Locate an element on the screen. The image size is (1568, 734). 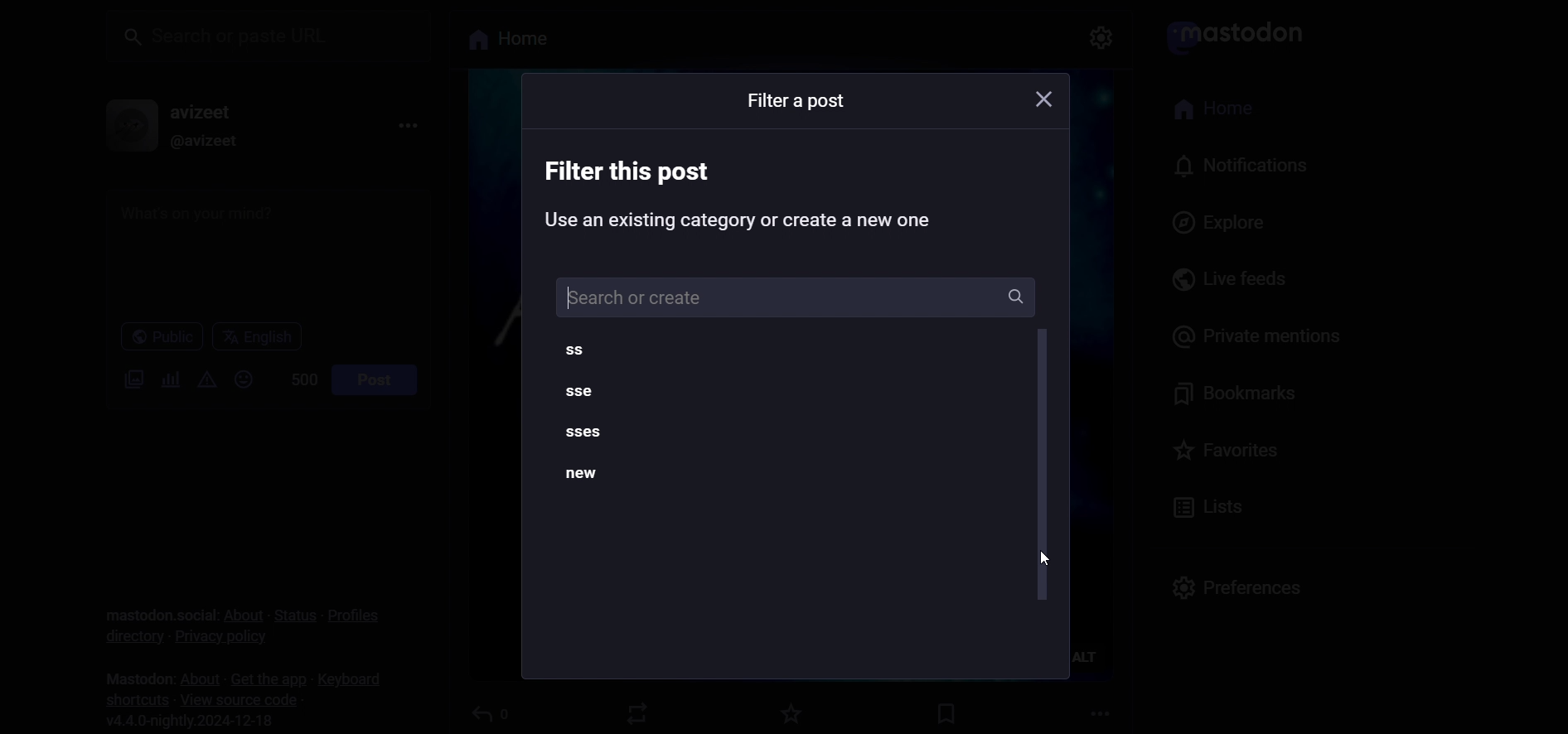
close is located at coordinates (1038, 102).